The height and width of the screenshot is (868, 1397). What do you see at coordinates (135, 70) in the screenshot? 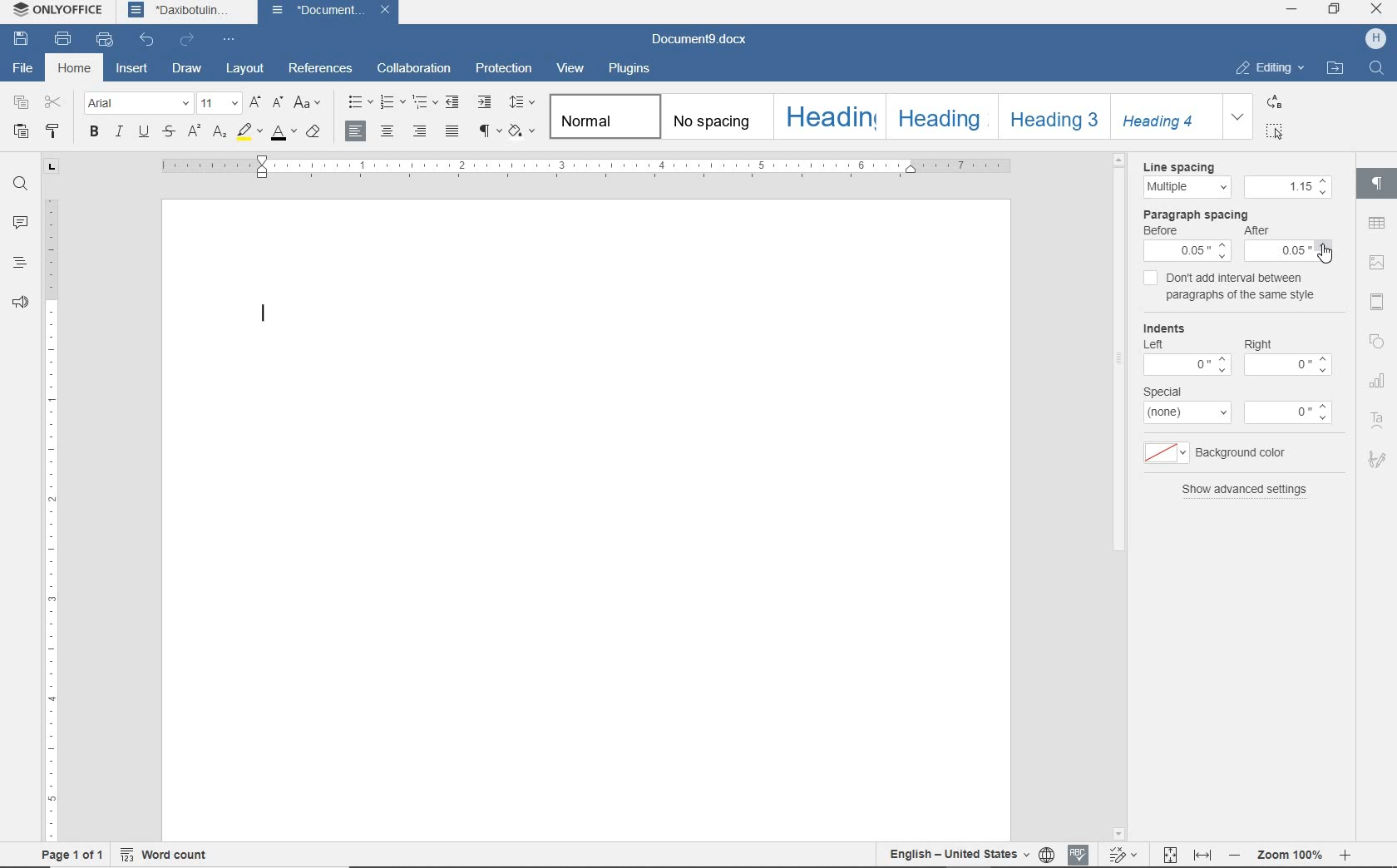
I see `insert` at bounding box center [135, 70].